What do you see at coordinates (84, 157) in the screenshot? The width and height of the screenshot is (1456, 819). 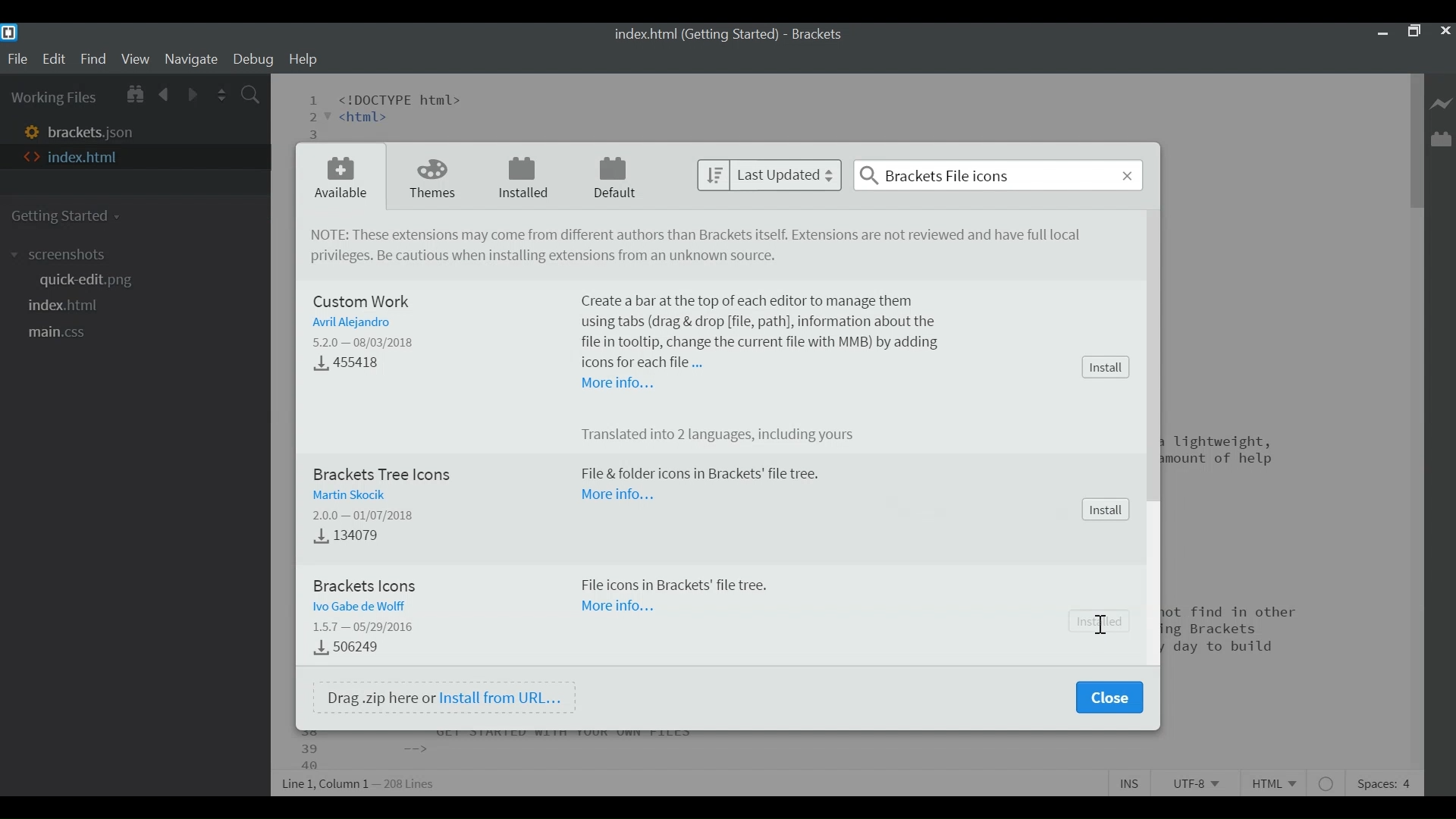 I see `index.html` at bounding box center [84, 157].